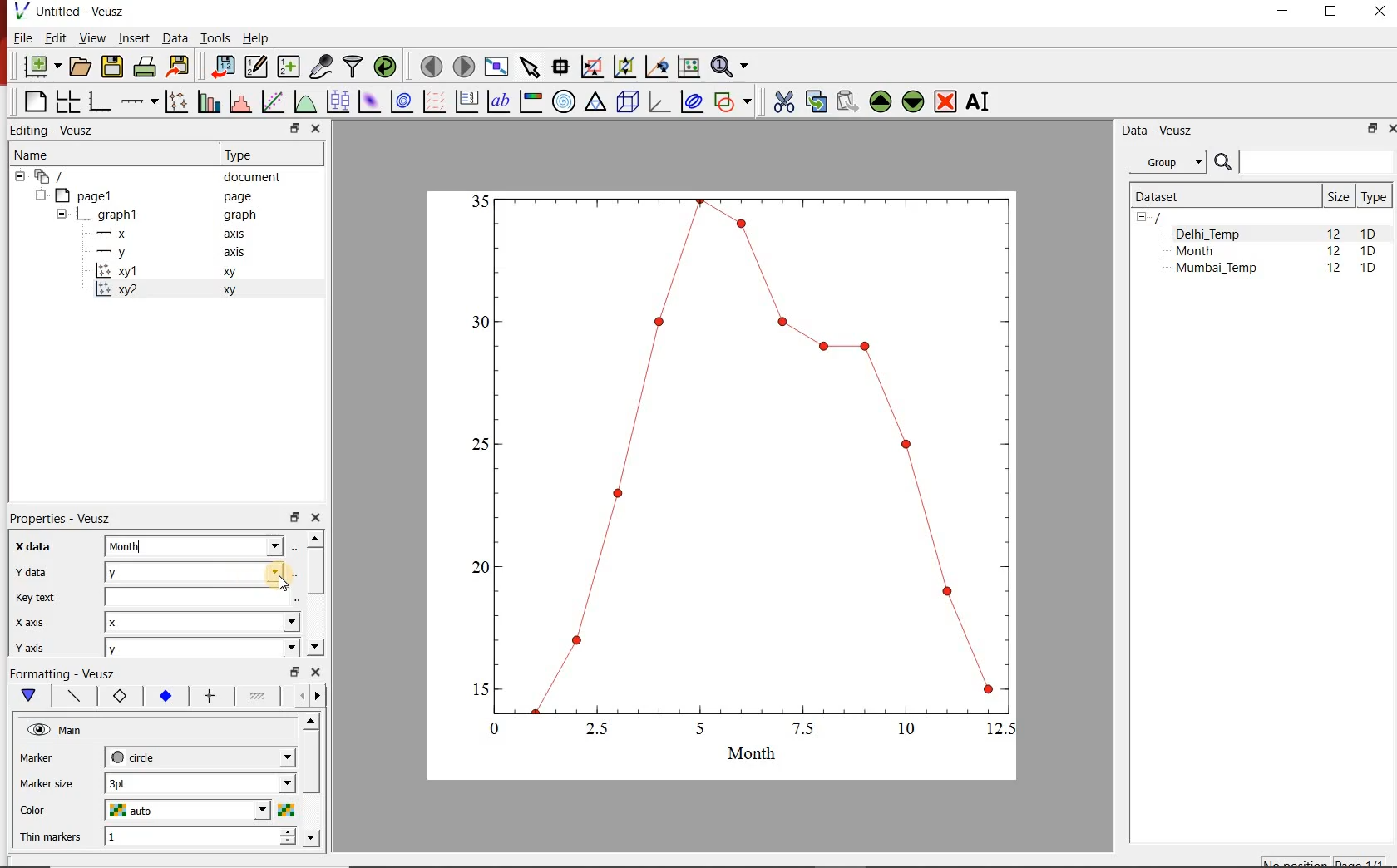 This screenshot has height=868, width=1397. What do you see at coordinates (209, 696) in the screenshot?
I see `major ticks` at bounding box center [209, 696].